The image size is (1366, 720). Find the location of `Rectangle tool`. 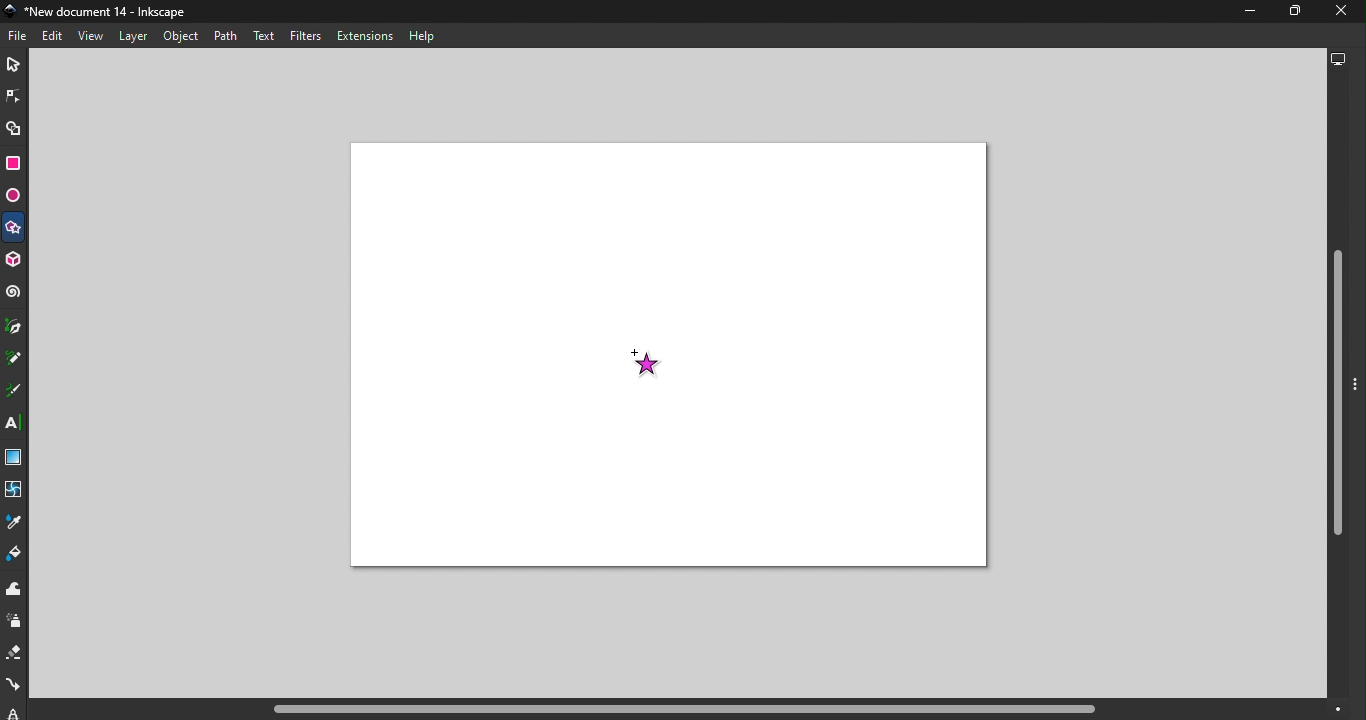

Rectangle tool is located at coordinates (13, 165).